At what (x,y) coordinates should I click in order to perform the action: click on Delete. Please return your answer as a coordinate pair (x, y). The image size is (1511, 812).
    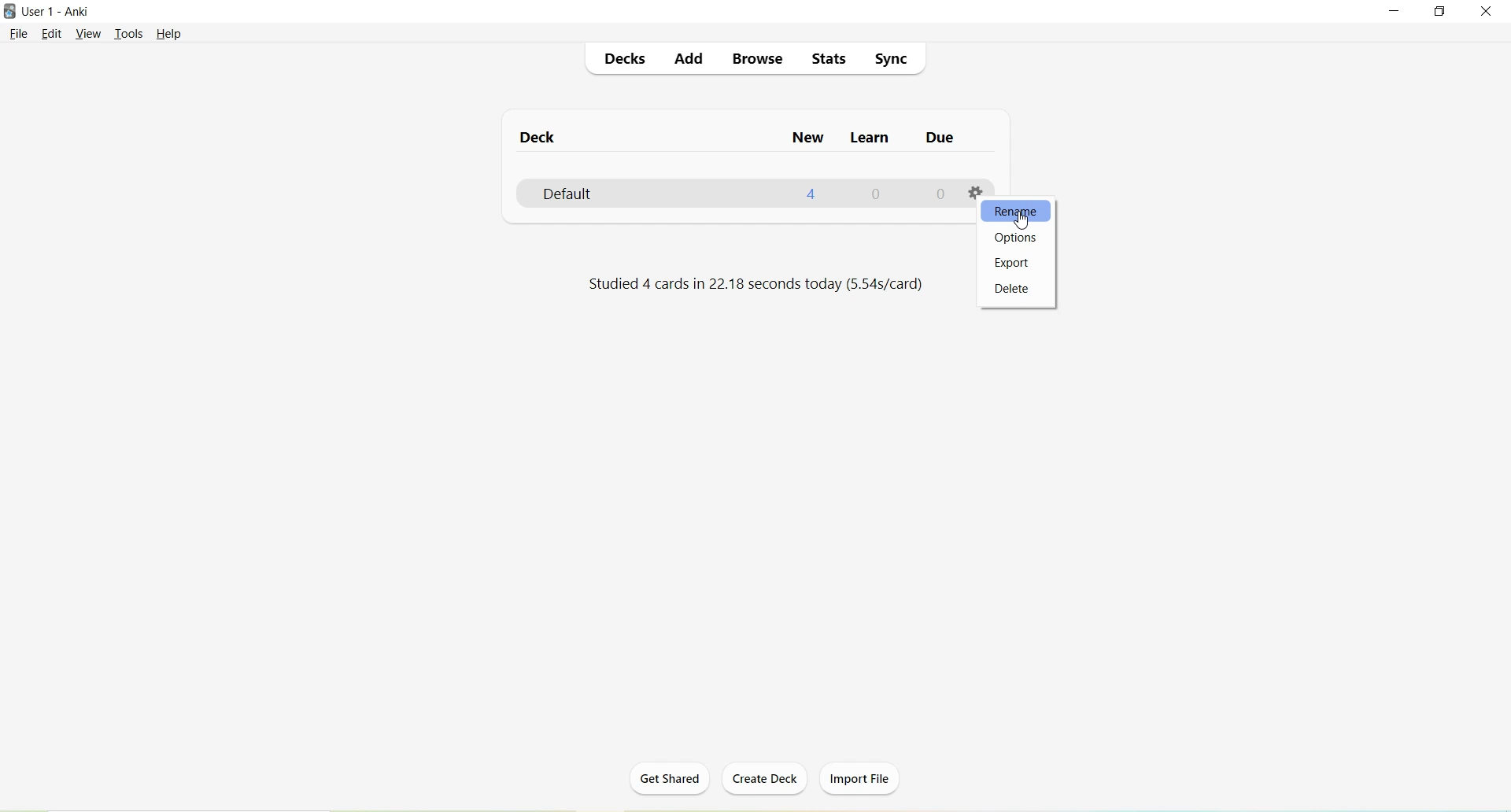
    Looking at the image, I should click on (1016, 290).